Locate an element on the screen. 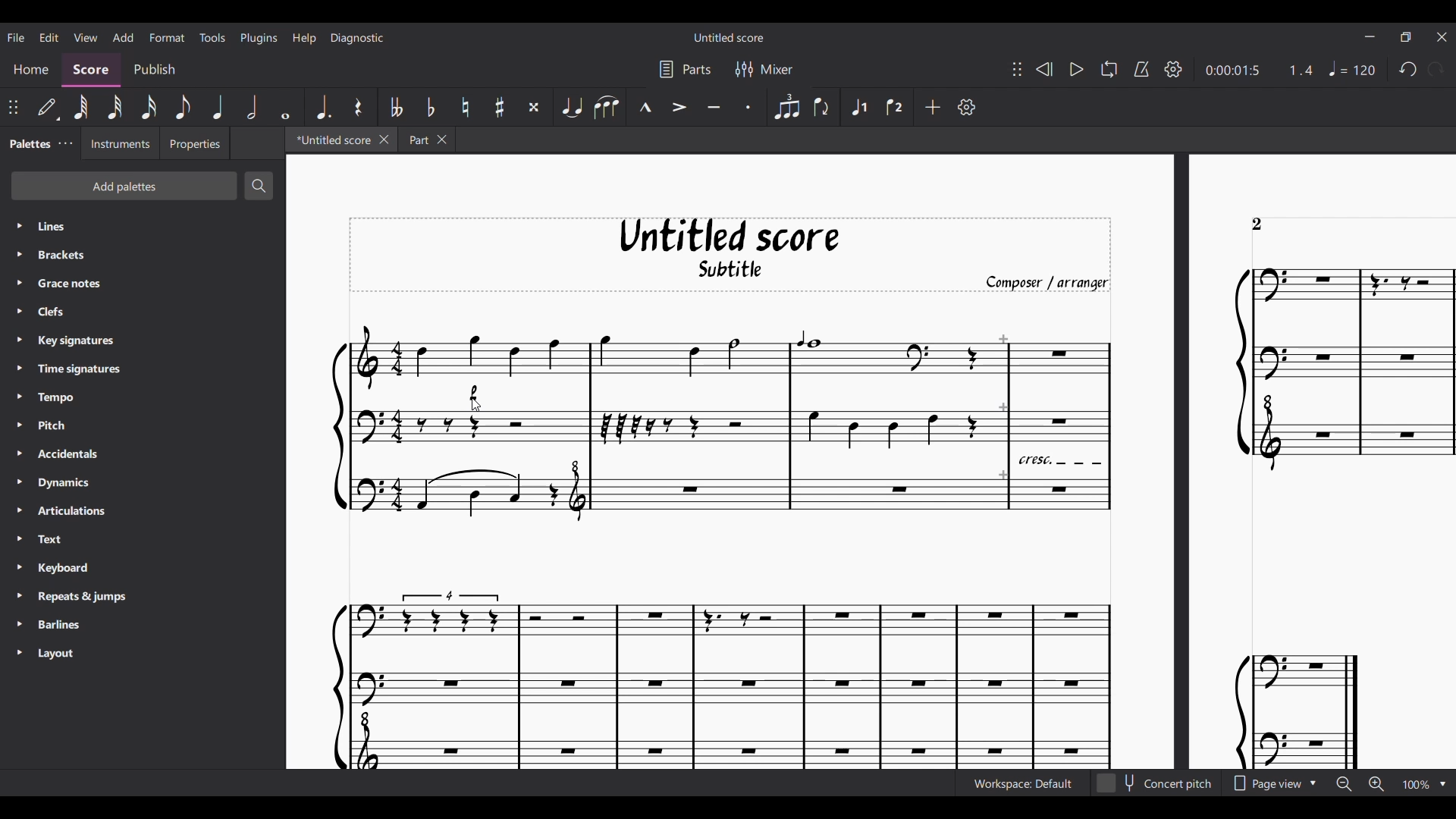  Current score is located at coordinates (892, 532).